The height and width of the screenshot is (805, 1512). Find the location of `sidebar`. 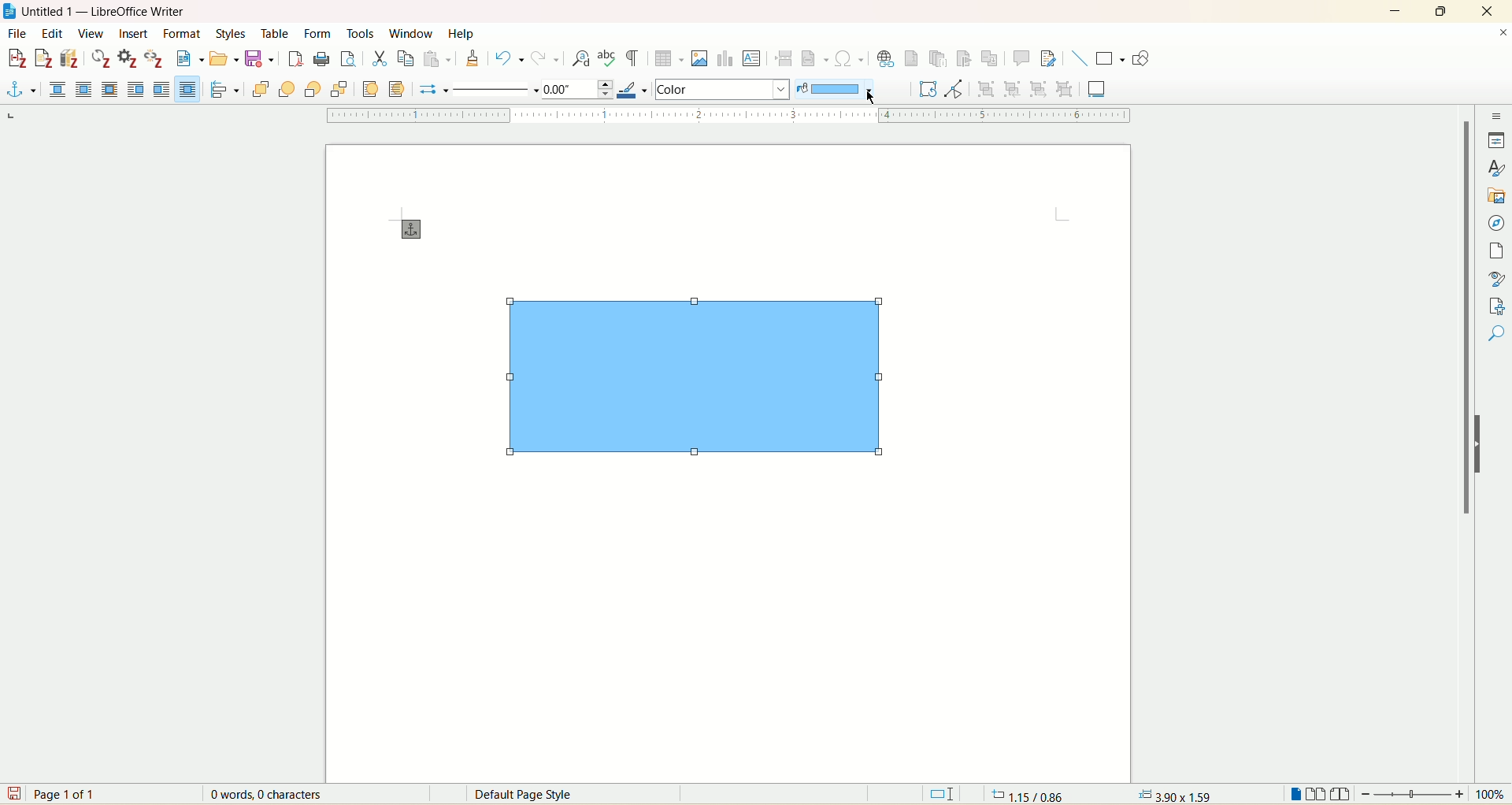

sidebar is located at coordinates (1499, 118).